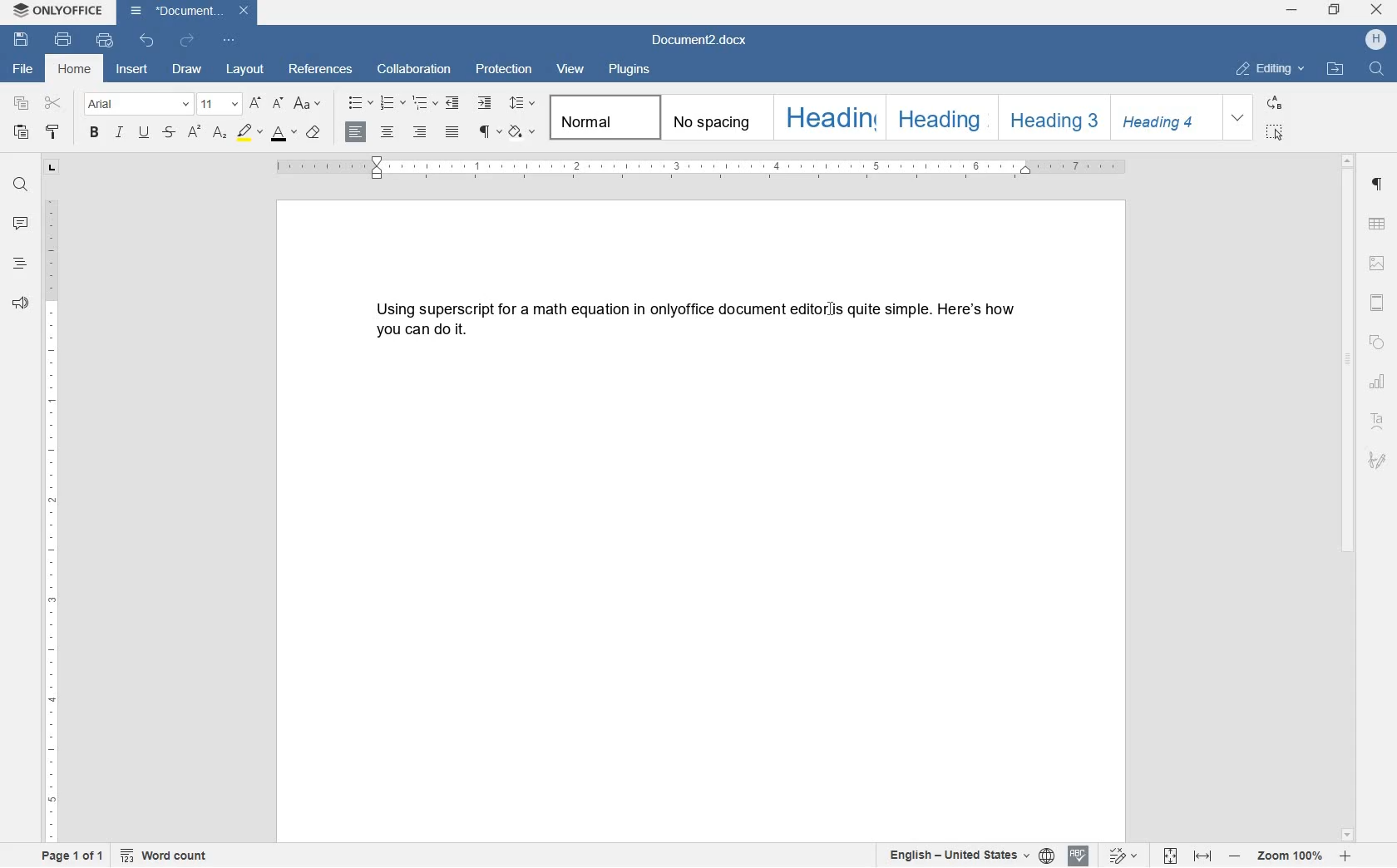 This screenshot has width=1397, height=868. Describe the element at coordinates (278, 102) in the screenshot. I see `decrement font size` at that location.